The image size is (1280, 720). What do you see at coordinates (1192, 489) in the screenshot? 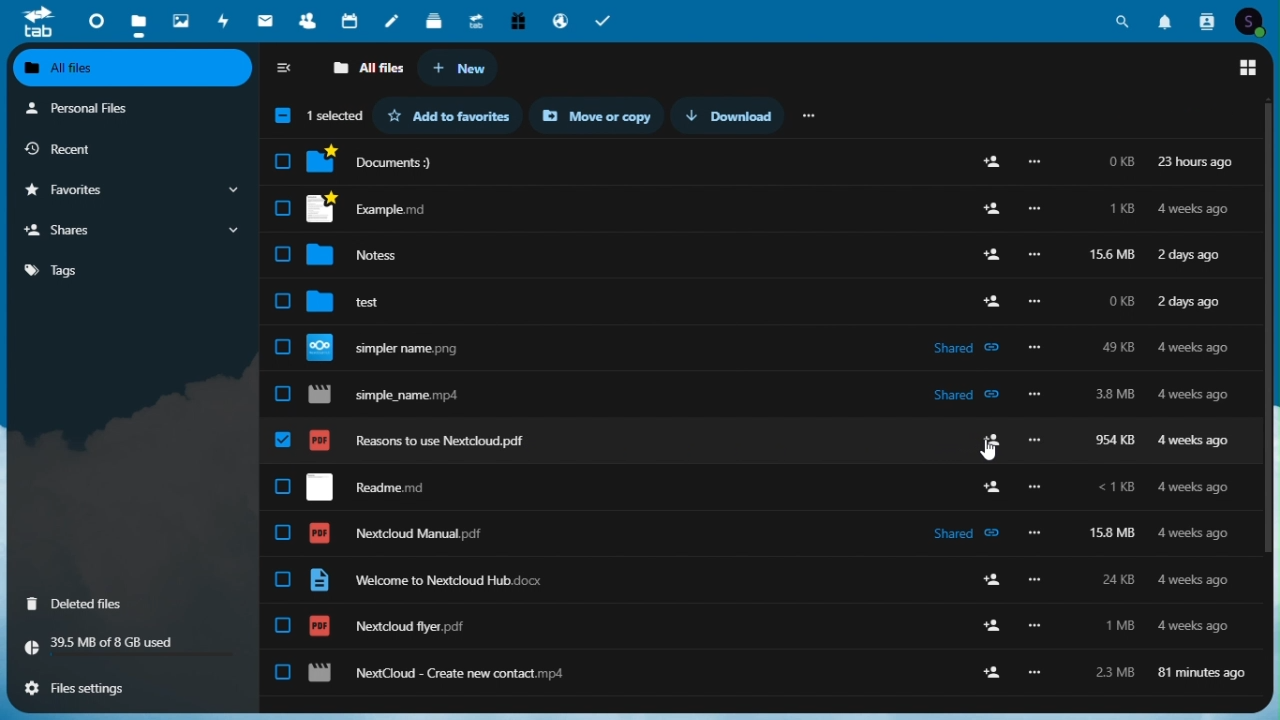
I see `4 weeks ago` at bounding box center [1192, 489].